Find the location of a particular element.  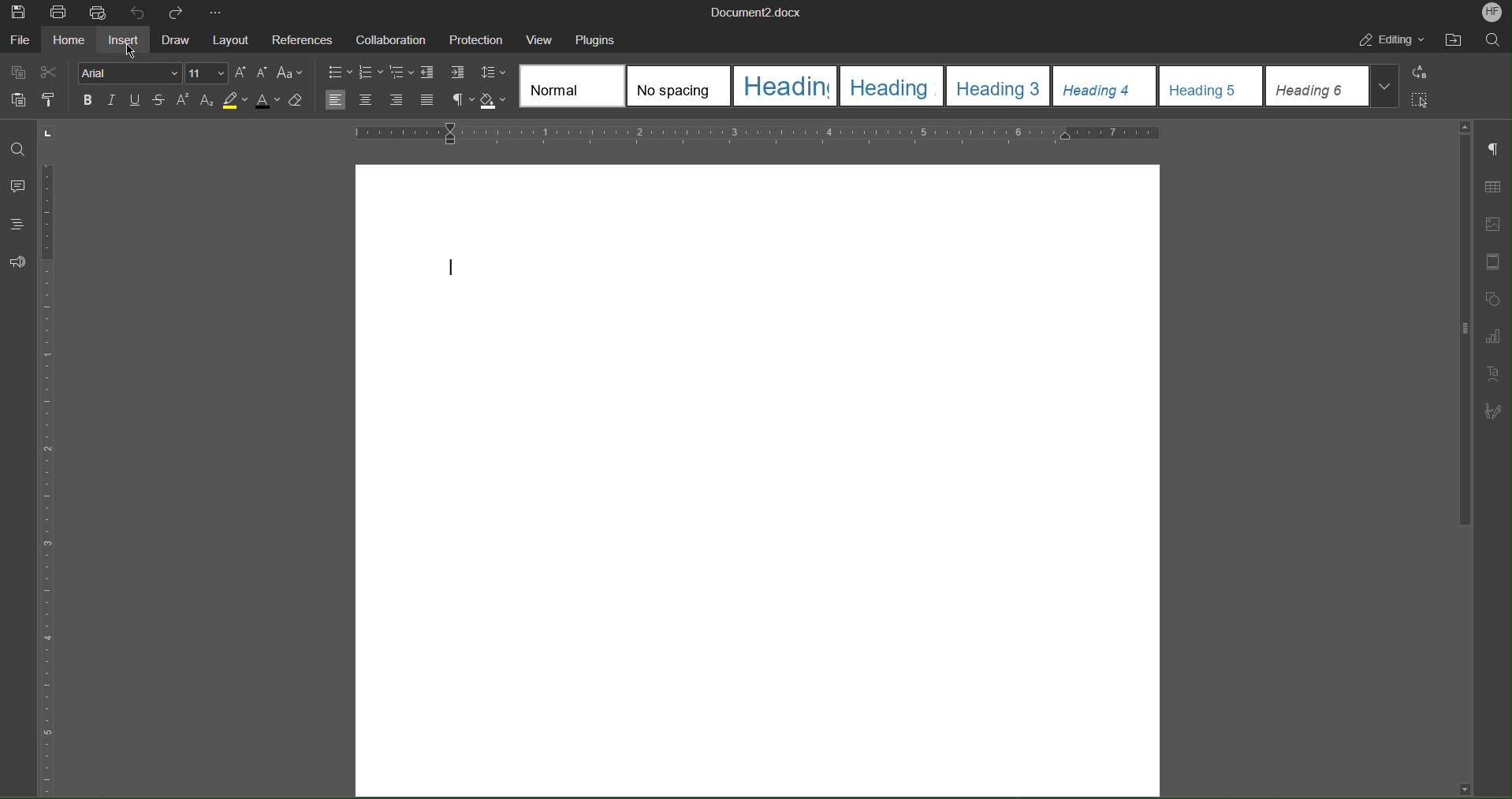

Quick Print is located at coordinates (99, 11).